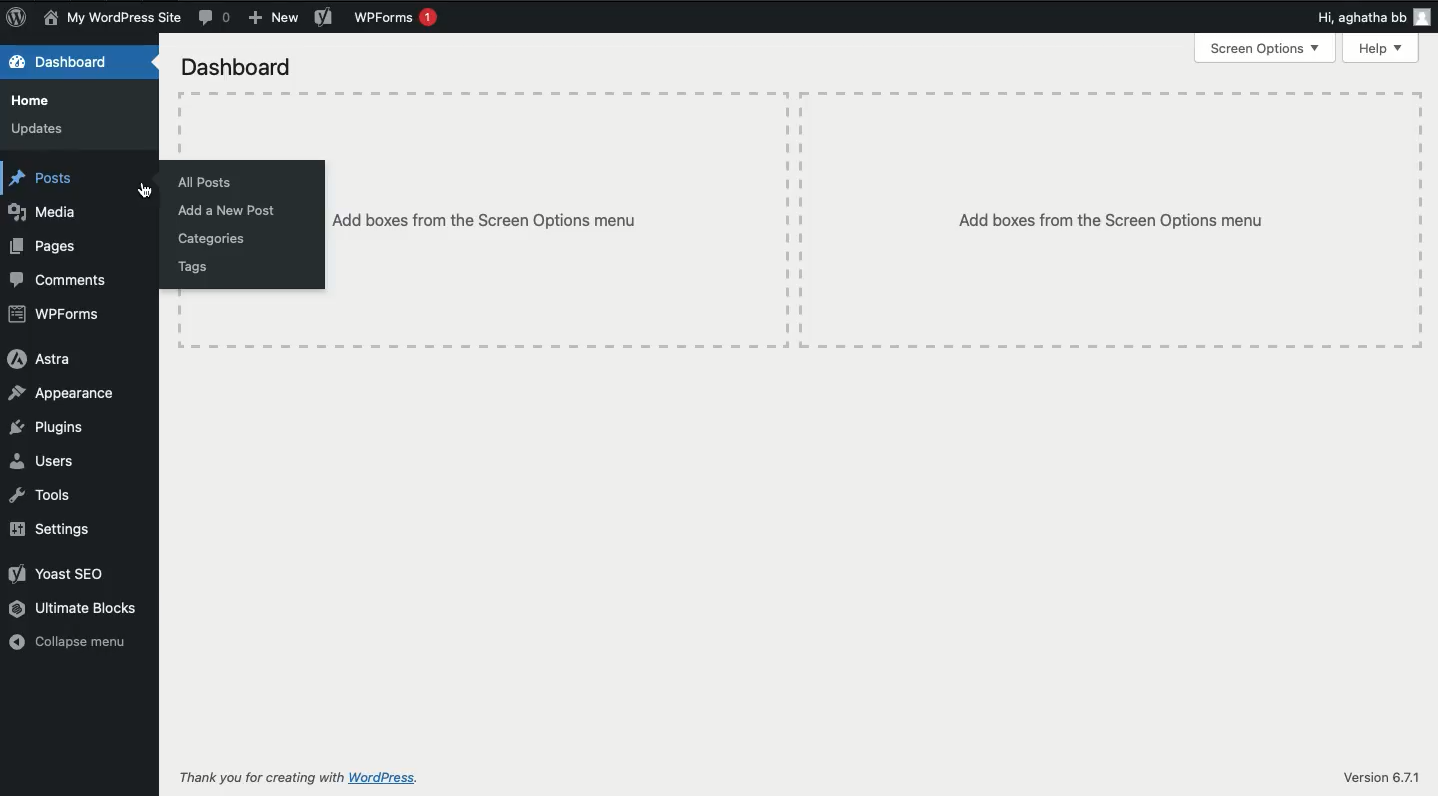  I want to click on Thank you for creating with, so click(261, 777).